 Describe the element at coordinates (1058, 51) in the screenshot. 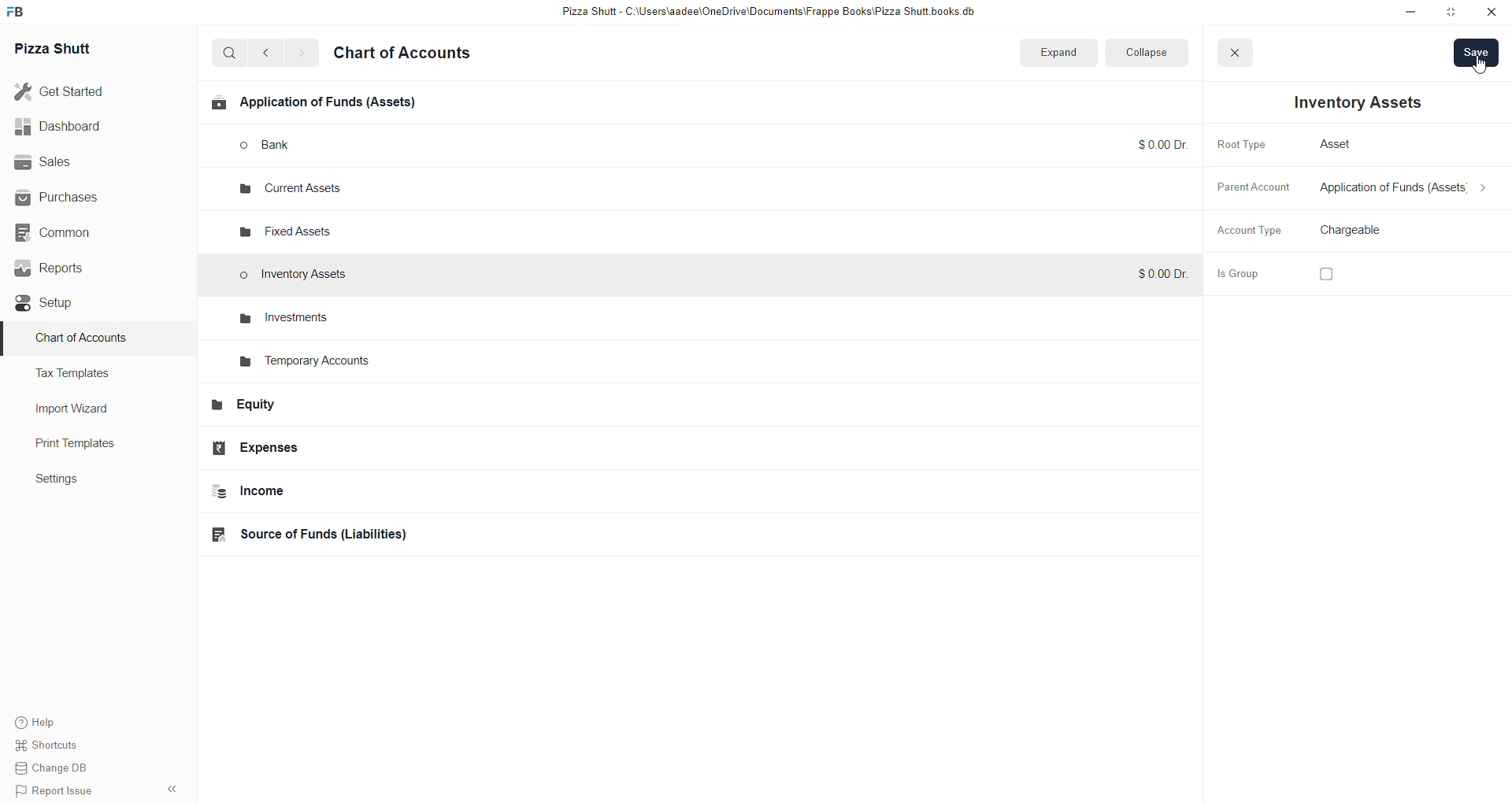

I see `expand` at that location.